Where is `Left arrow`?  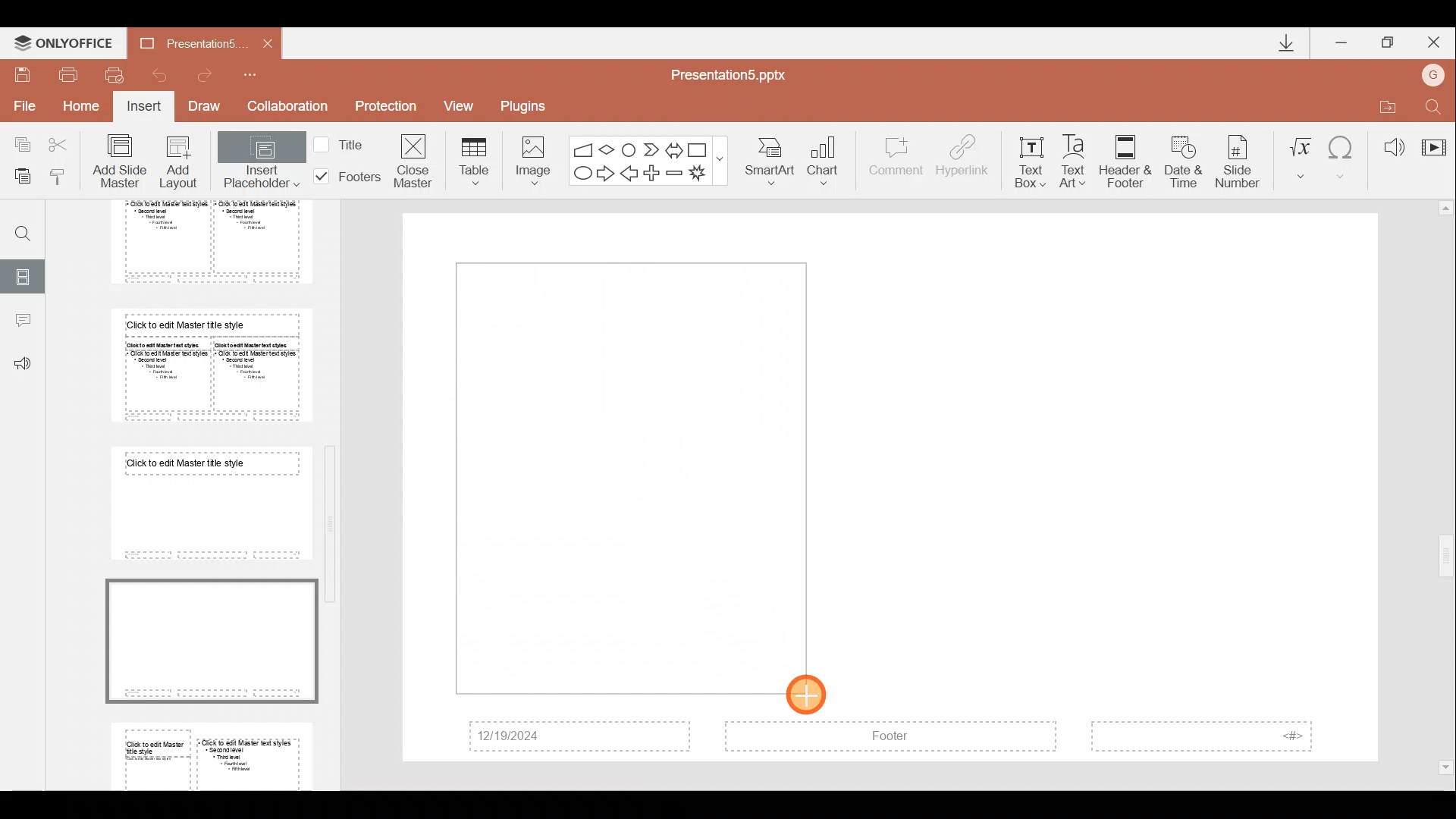
Left arrow is located at coordinates (630, 174).